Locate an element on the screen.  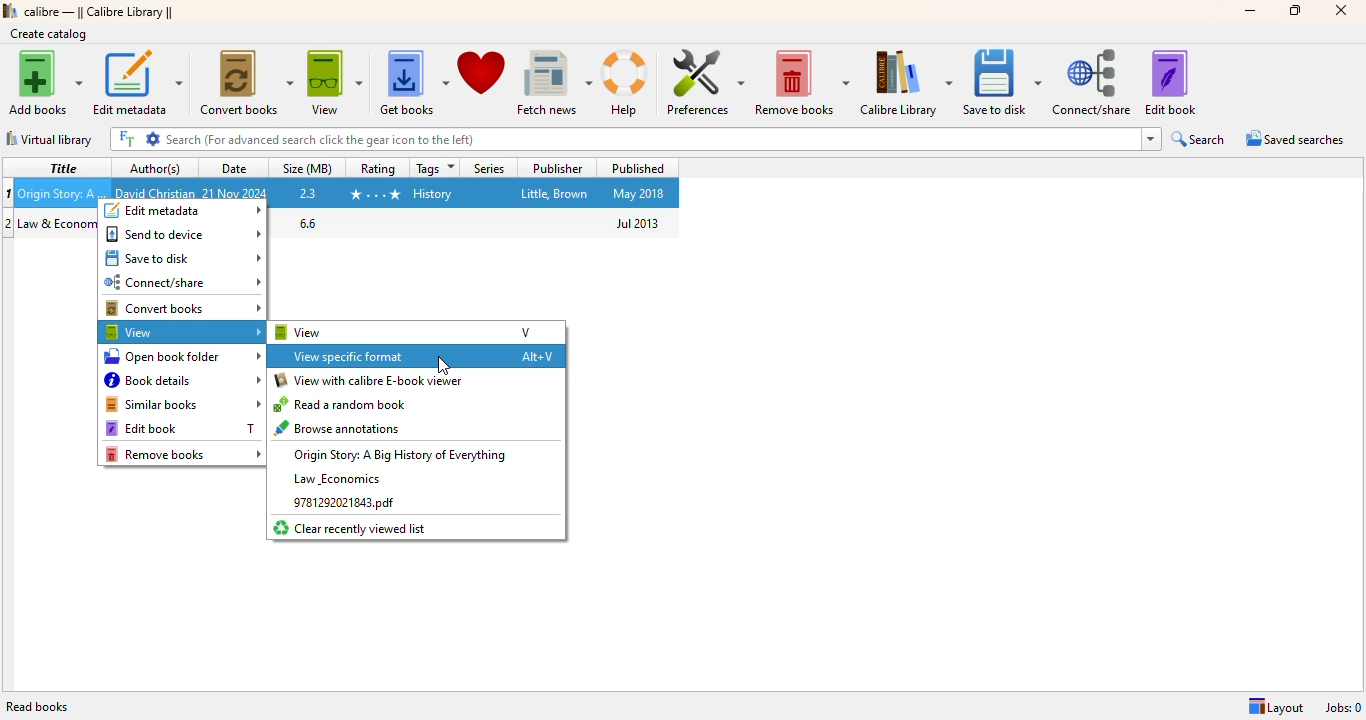
open book folder is located at coordinates (182, 356).